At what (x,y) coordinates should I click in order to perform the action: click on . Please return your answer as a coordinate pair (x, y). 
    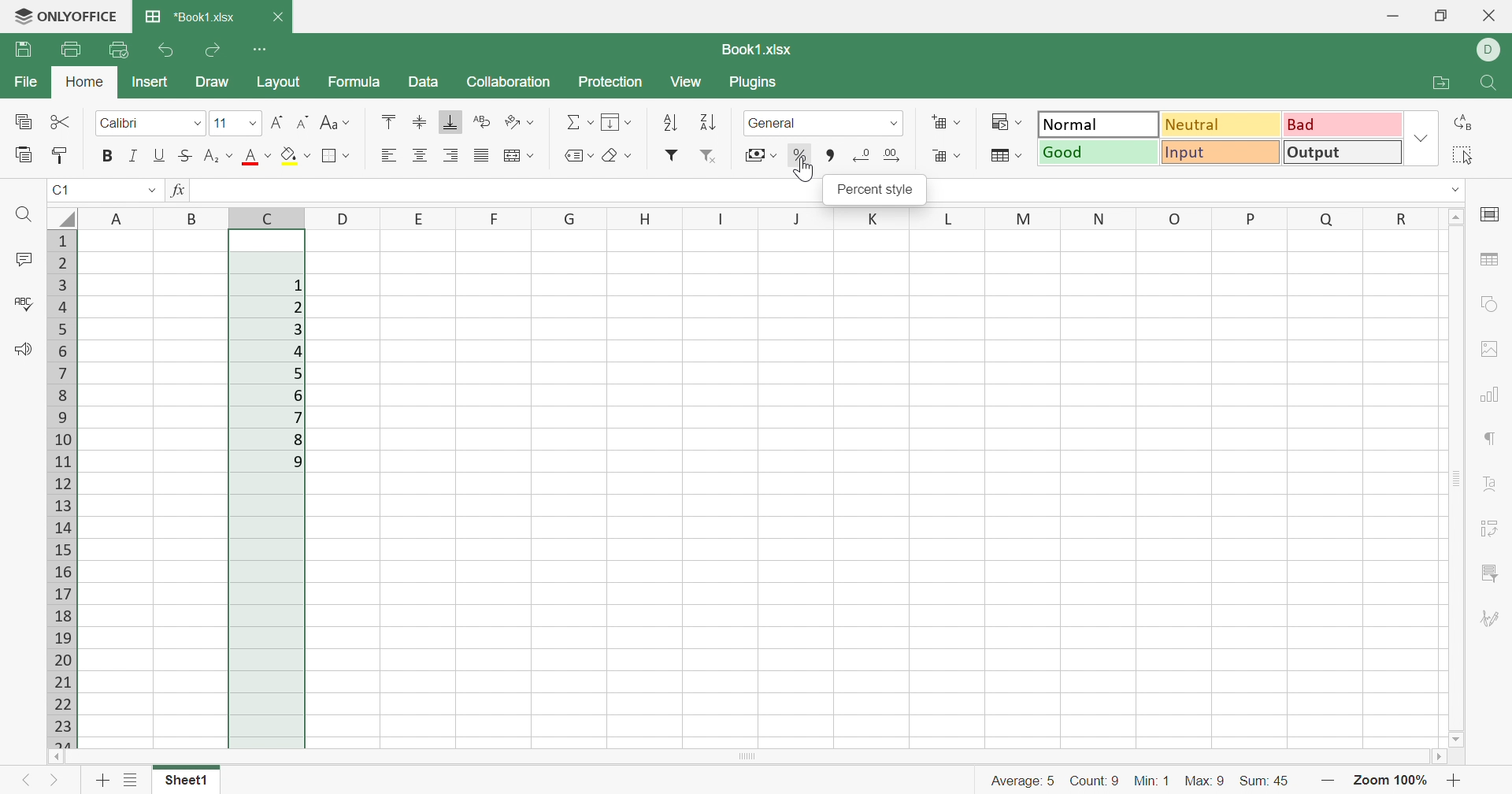
    Looking at the image, I should click on (341, 220).